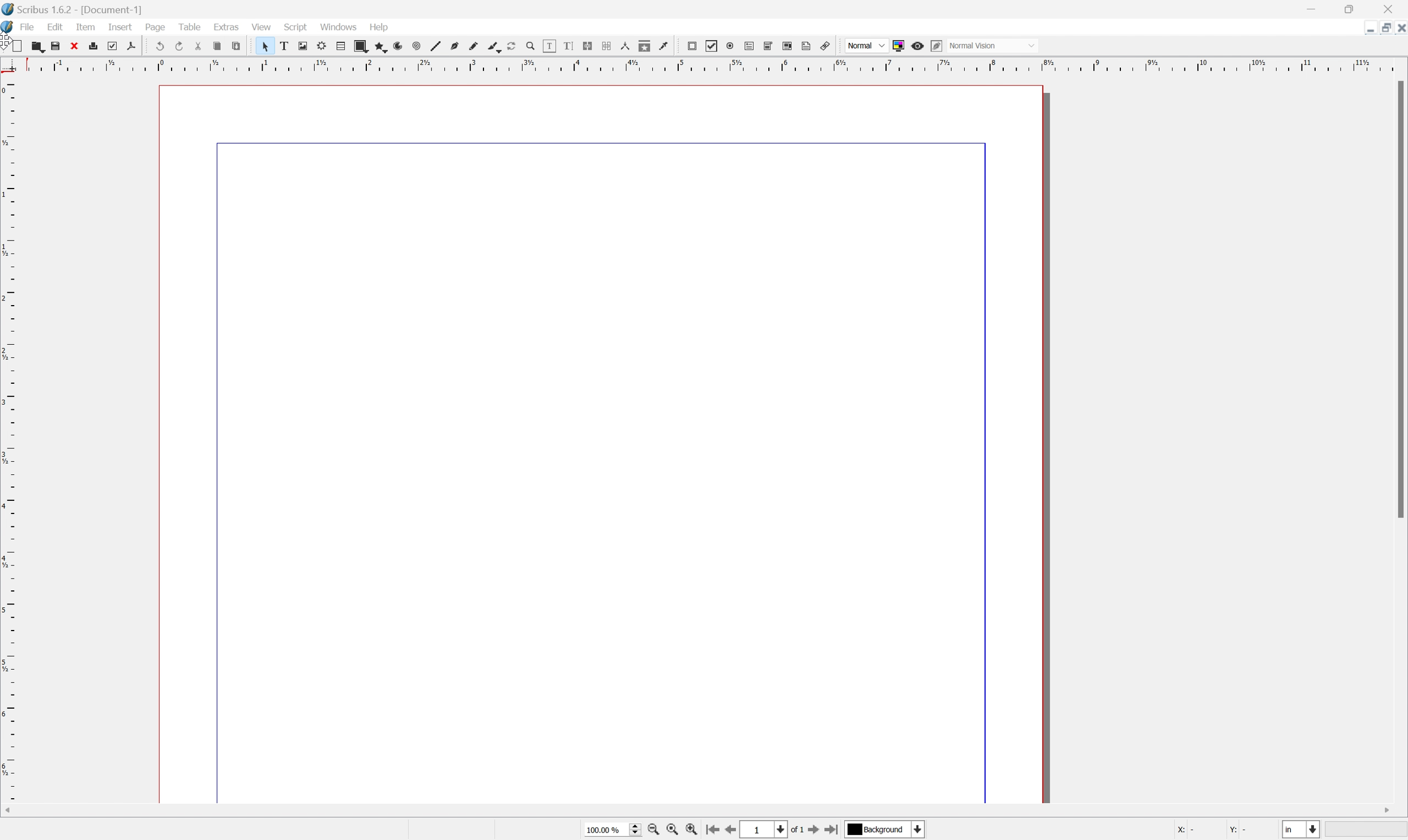 The height and width of the screenshot is (840, 1408). I want to click on save as pdf, so click(132, 47).